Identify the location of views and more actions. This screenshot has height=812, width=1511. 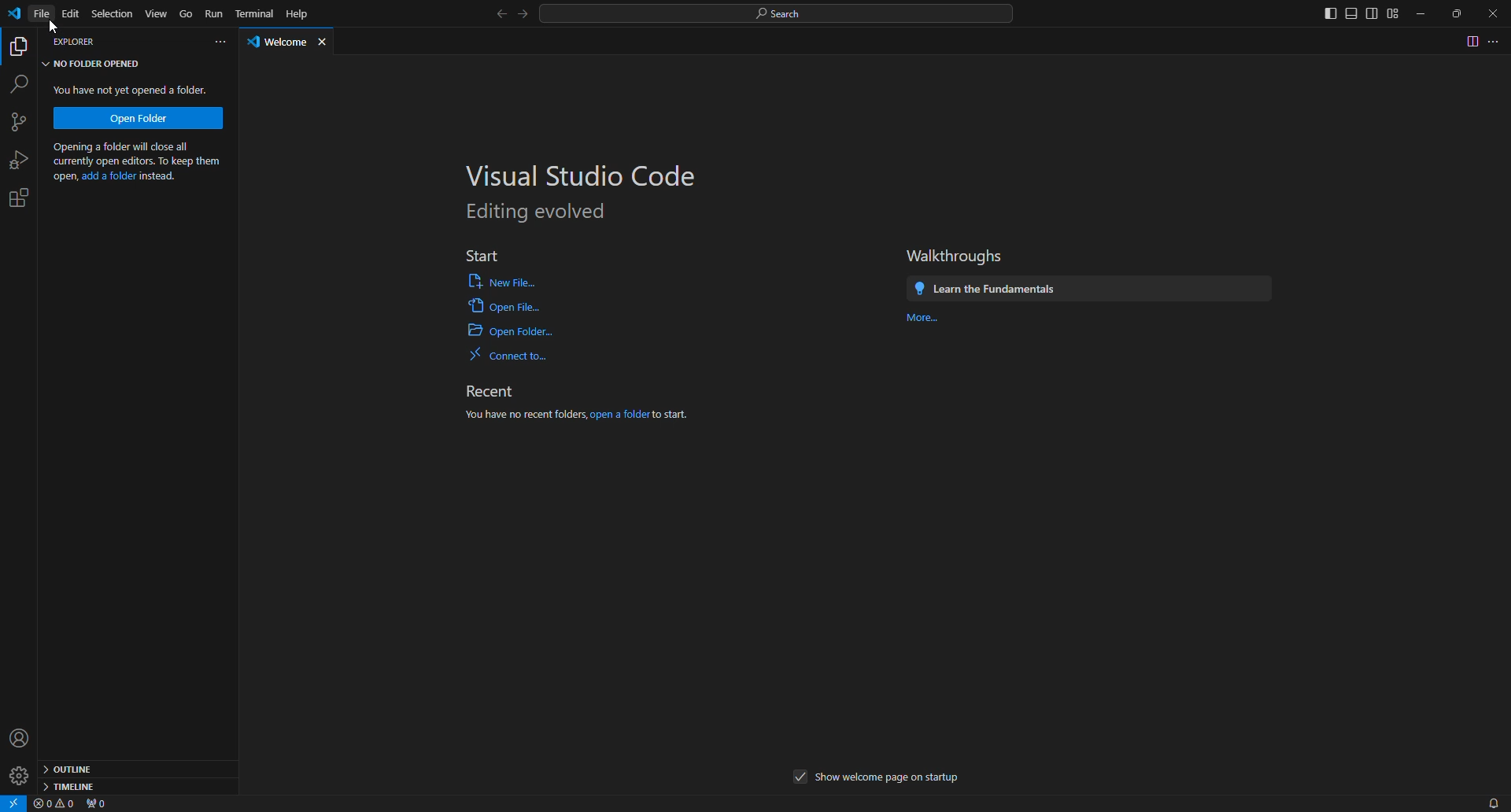
(220, 42).